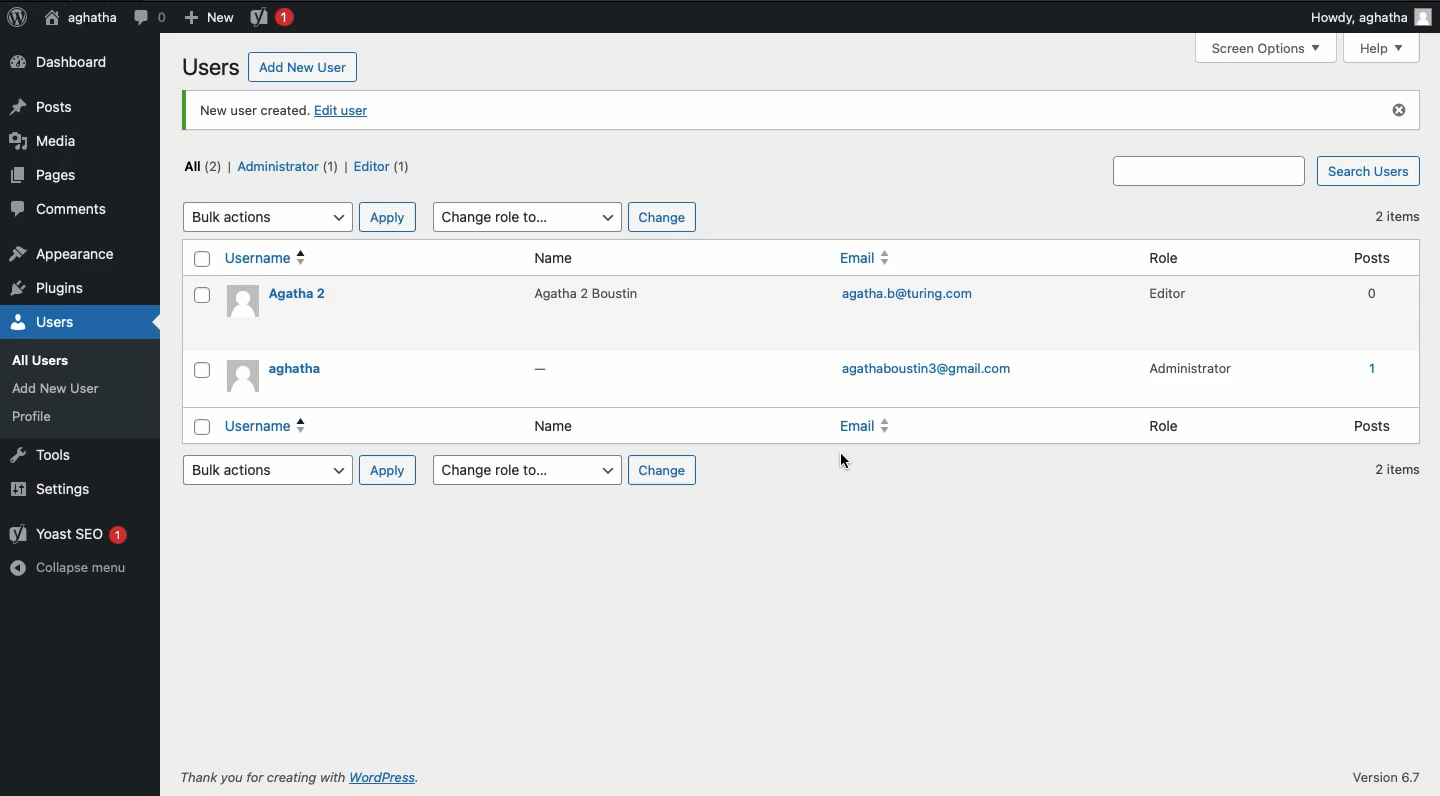  I want to click on All (2), so click(203, 165).